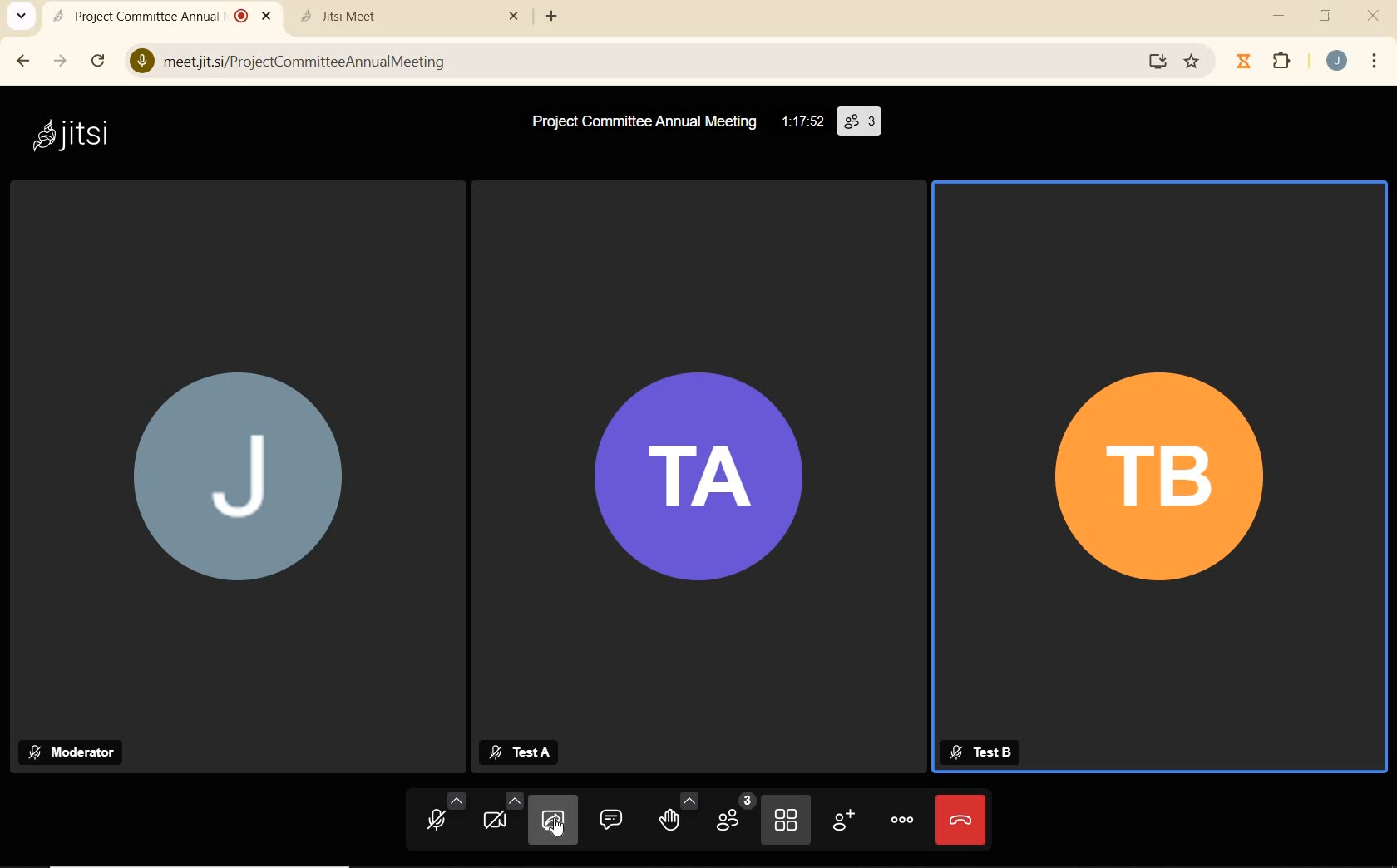 The width and height of the screenshot is (1397, 868). I want to click on Collapse, so click(21, 17).